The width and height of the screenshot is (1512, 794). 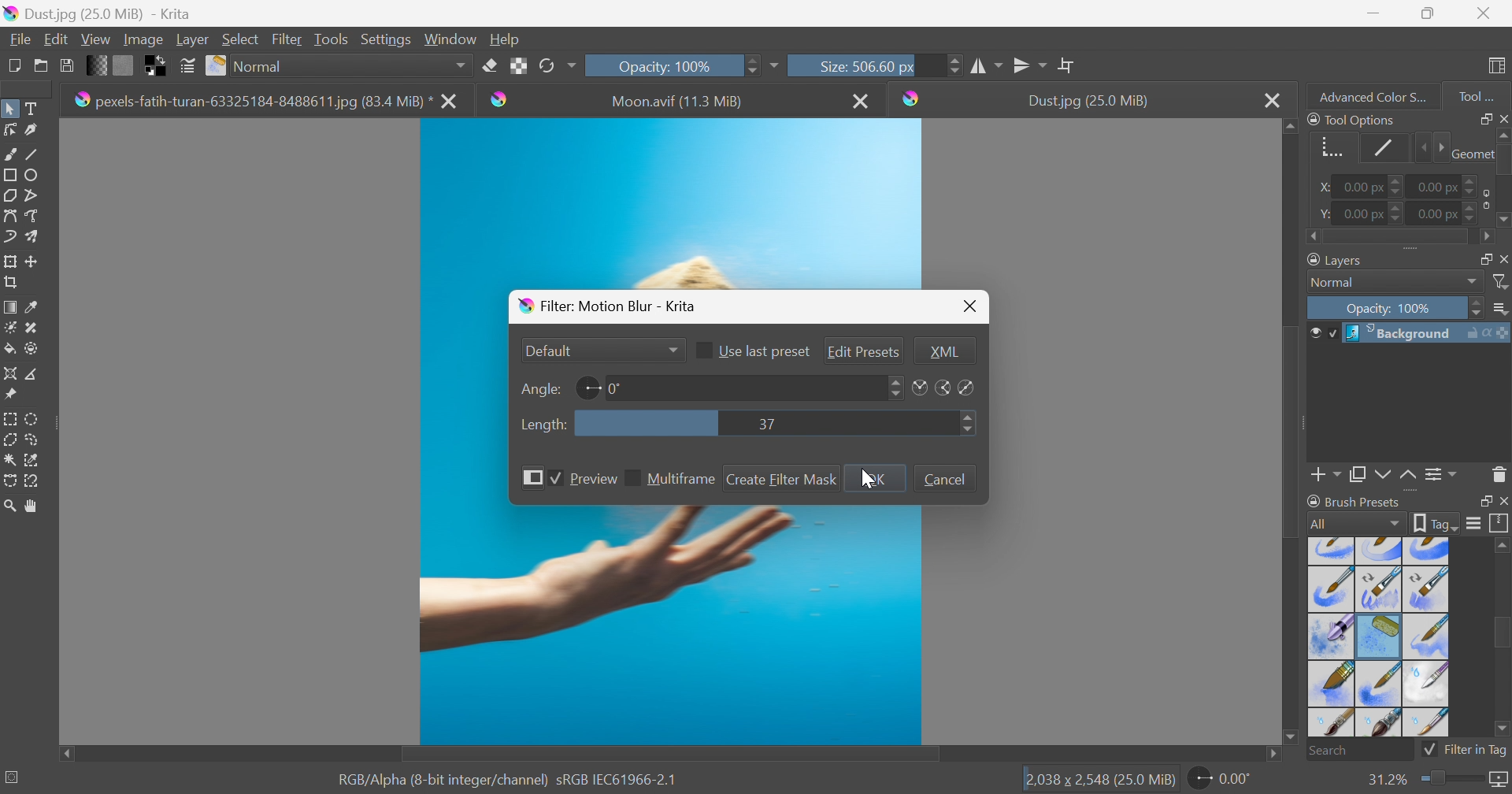 I want to click on OK, so click(x=876, y=479).